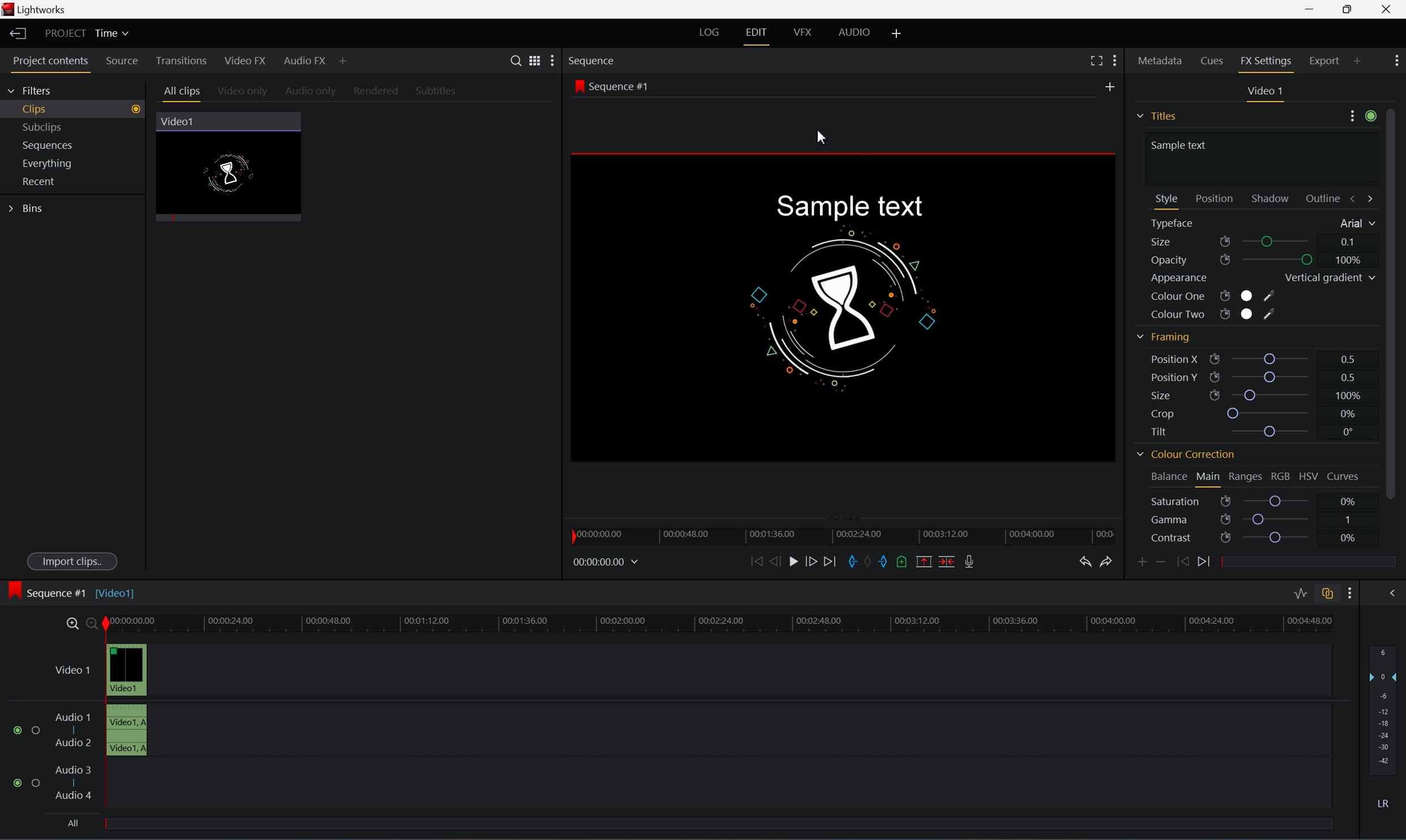 The image size is (1406, 840). I want to click on 0.5, so click(1349, 358).